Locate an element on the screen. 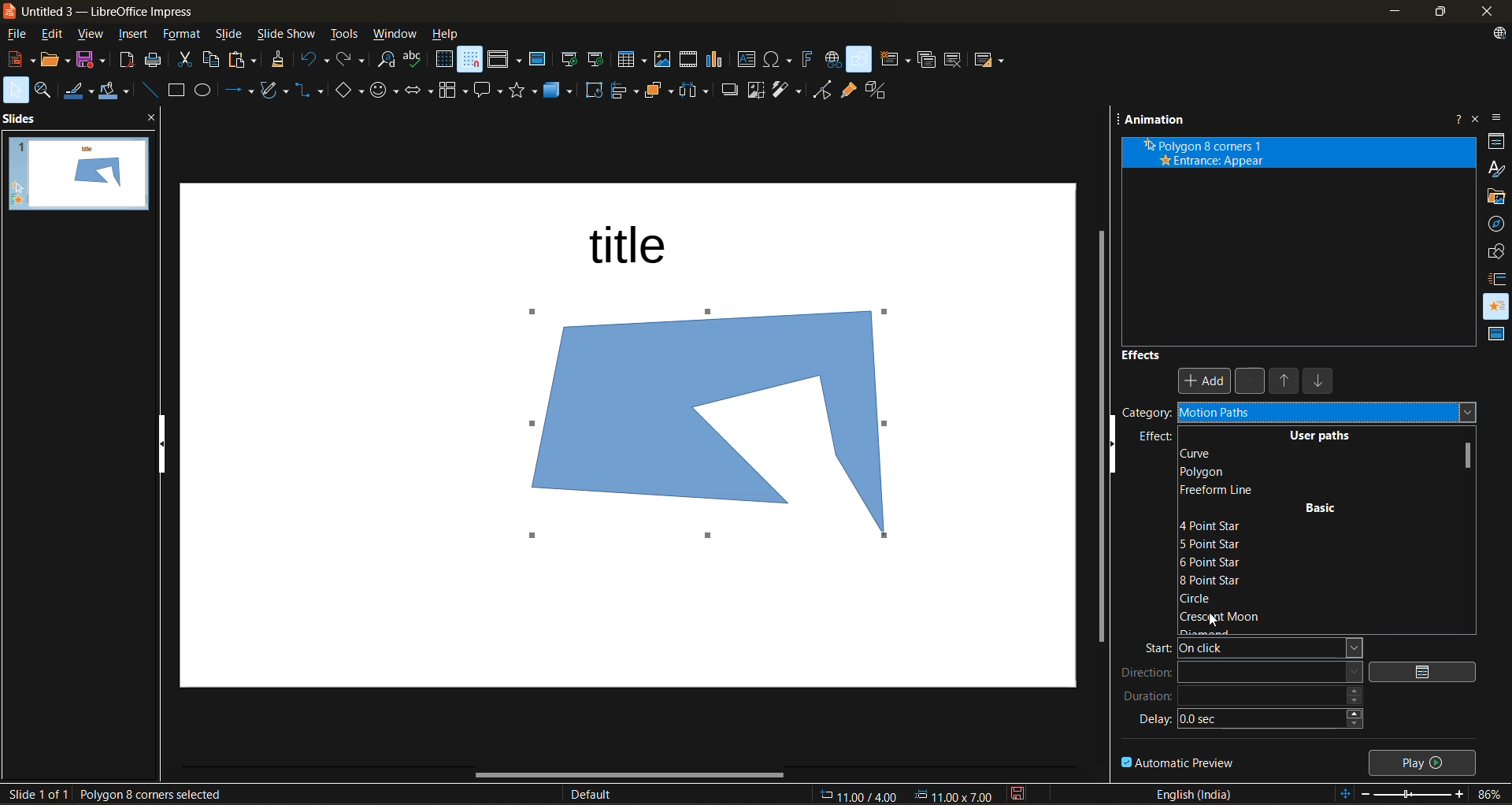  insert chart is located at coordinates (714, 60).